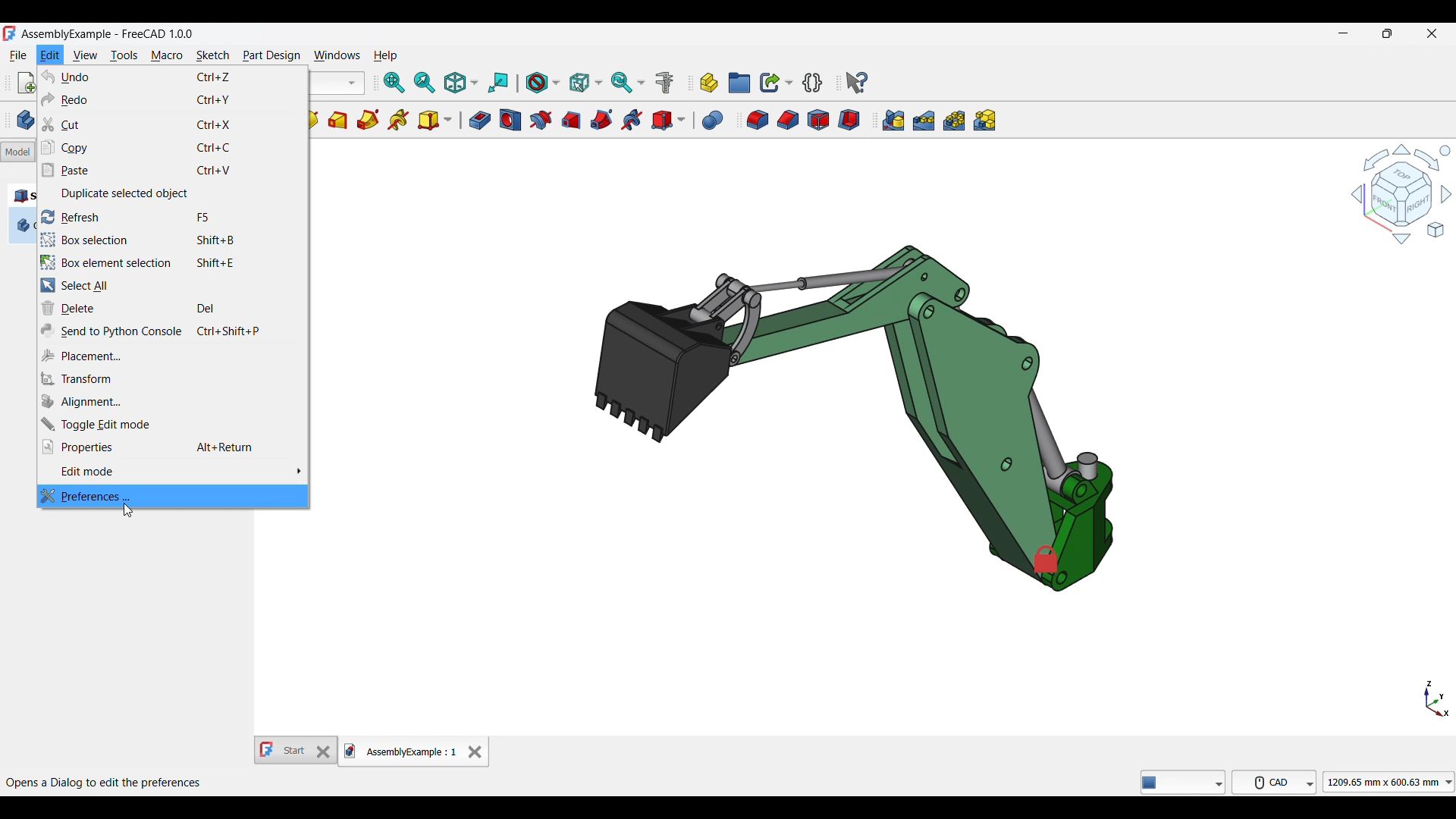 The width and height of the screenshot is (1456, 819). Describe the element at coordinates (212, 56) in the screenshot. I see `Sketch menu` at that location.